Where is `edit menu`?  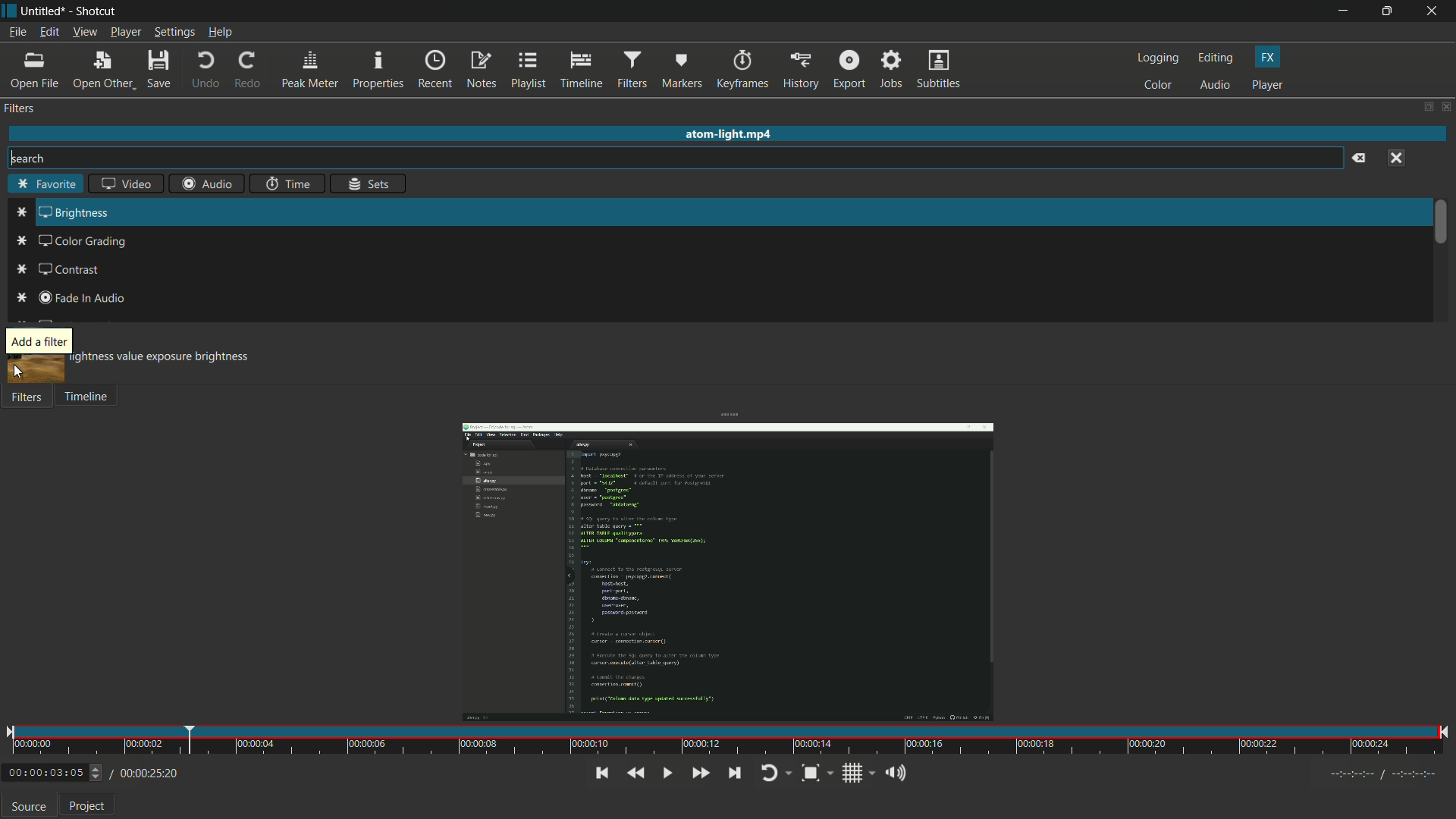 edit menu is located at coordinates (48, 33).